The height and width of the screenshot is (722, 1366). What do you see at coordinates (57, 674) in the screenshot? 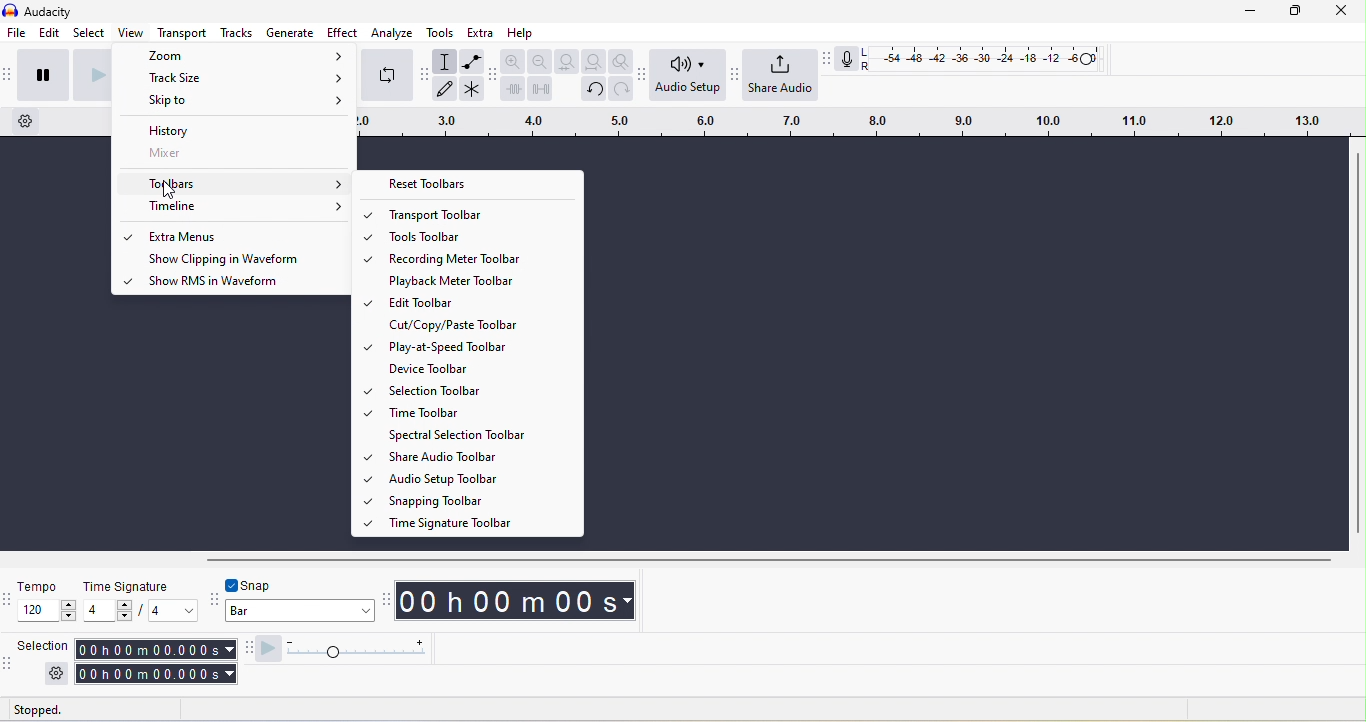
I see `selection settings` at bounding box center [57, 674].